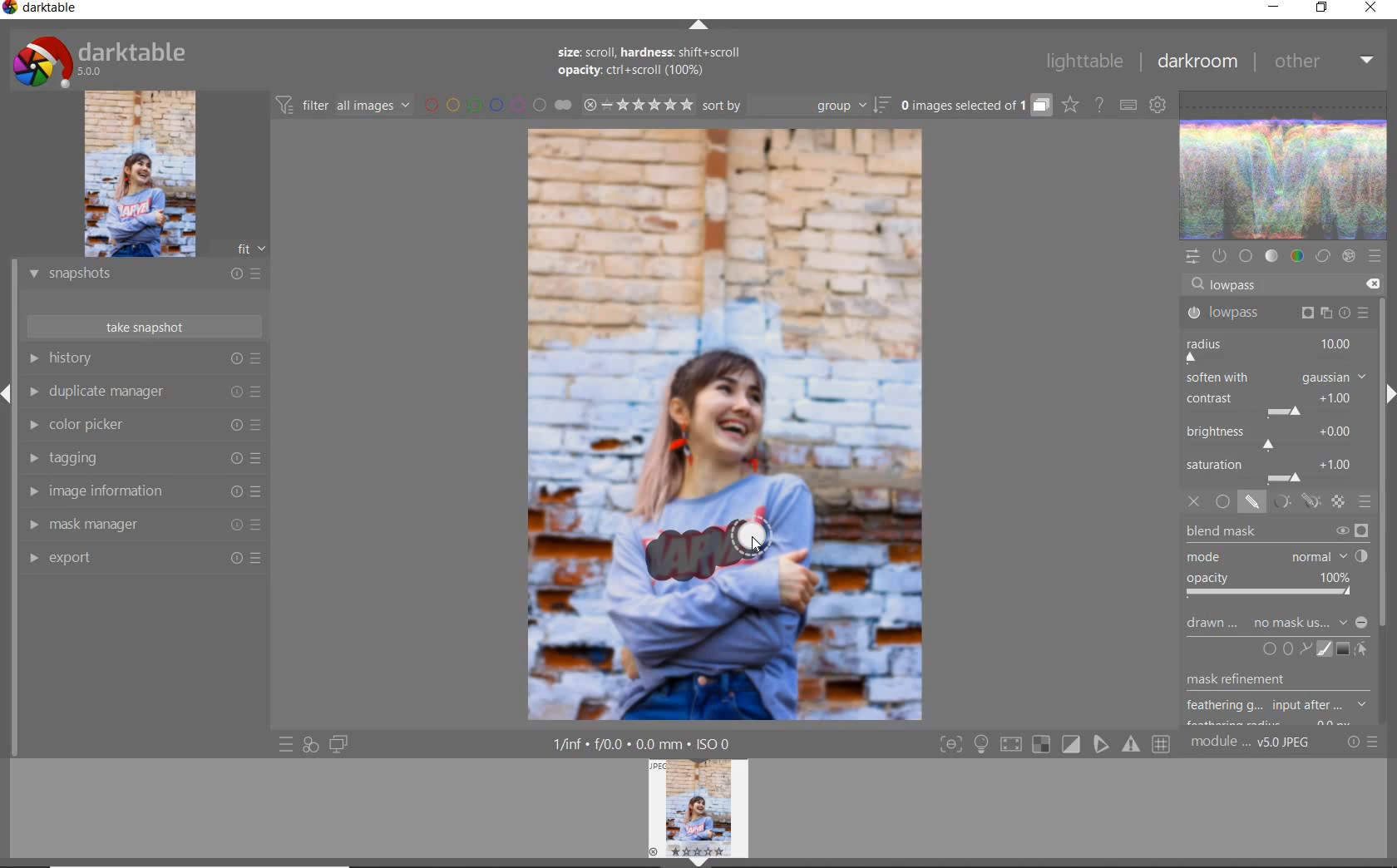  What do you see at coordinates (754, 547) in the screenshot?
I see `cursor` at bounding box center [754, 547].